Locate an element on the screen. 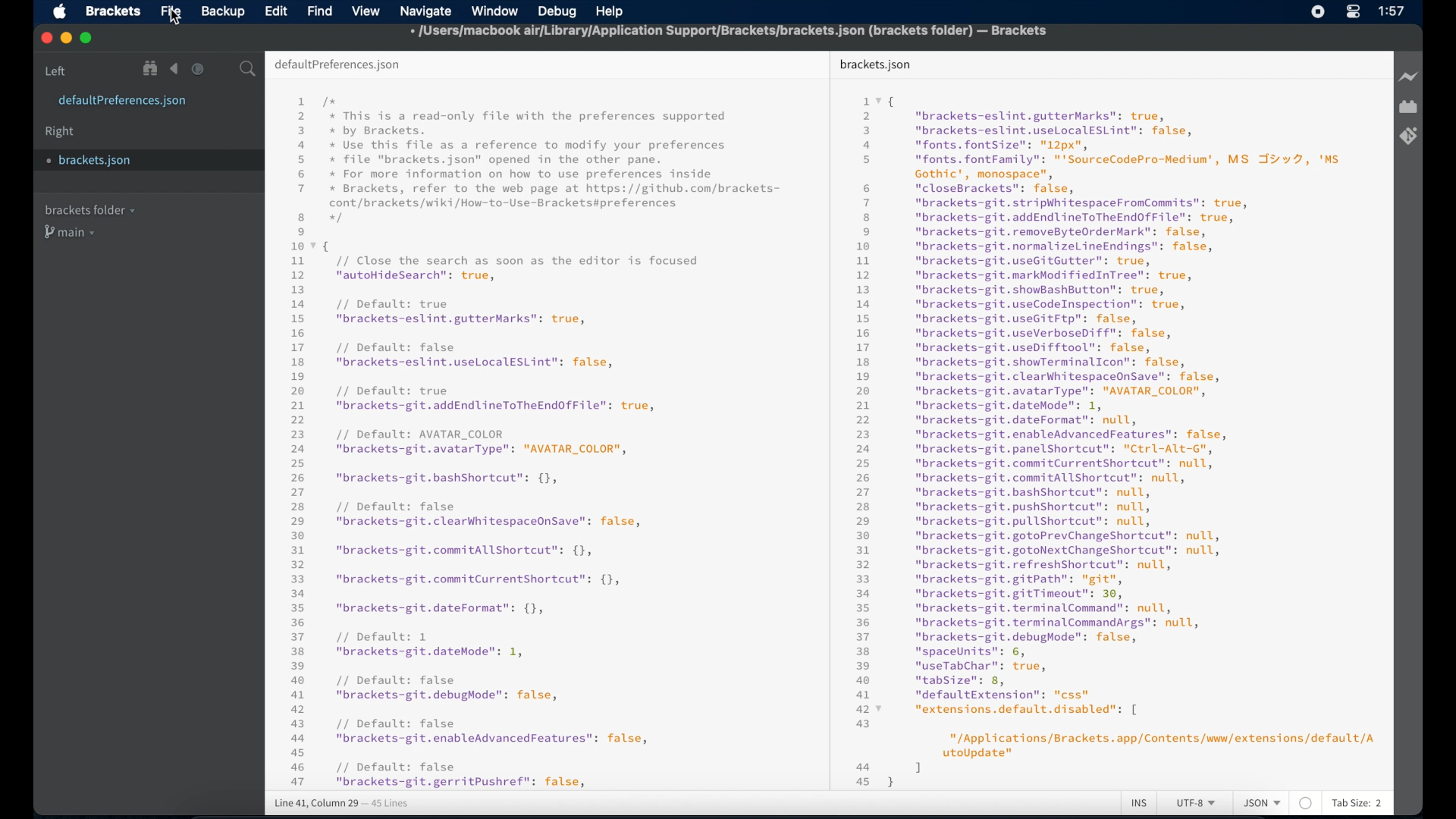 This screenshot has width=1456, height=819. utf-8 is located at coordinates (1197, 804).